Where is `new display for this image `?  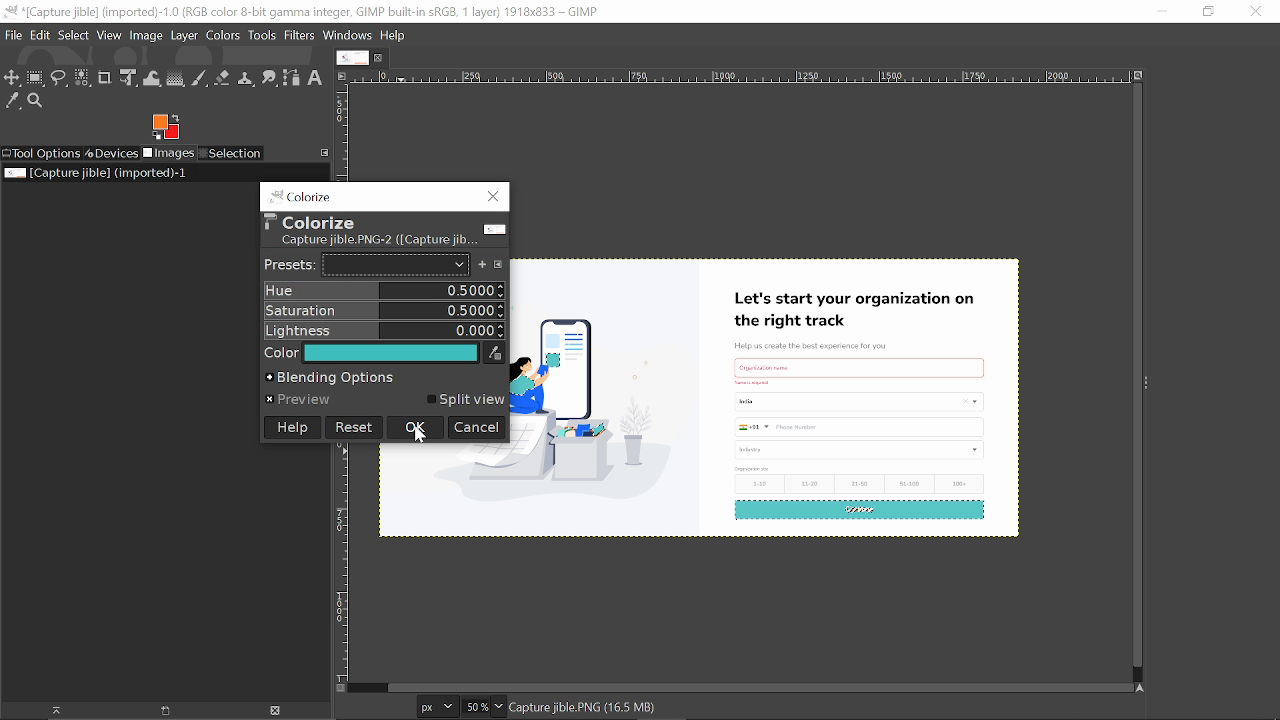
new display for this image  is located at coordinates (163, 711).